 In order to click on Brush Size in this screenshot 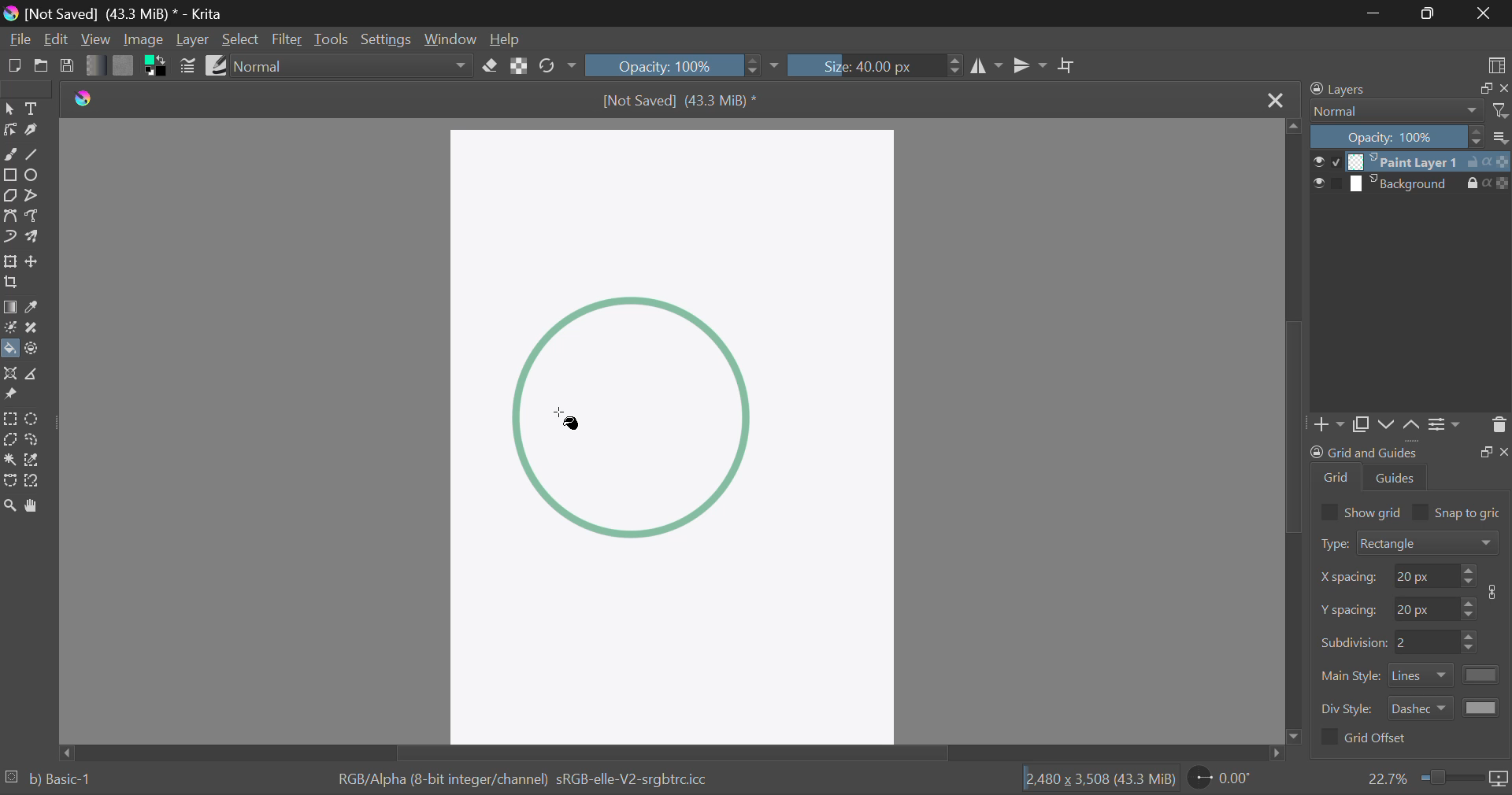, I will do `click(873, 65)`.